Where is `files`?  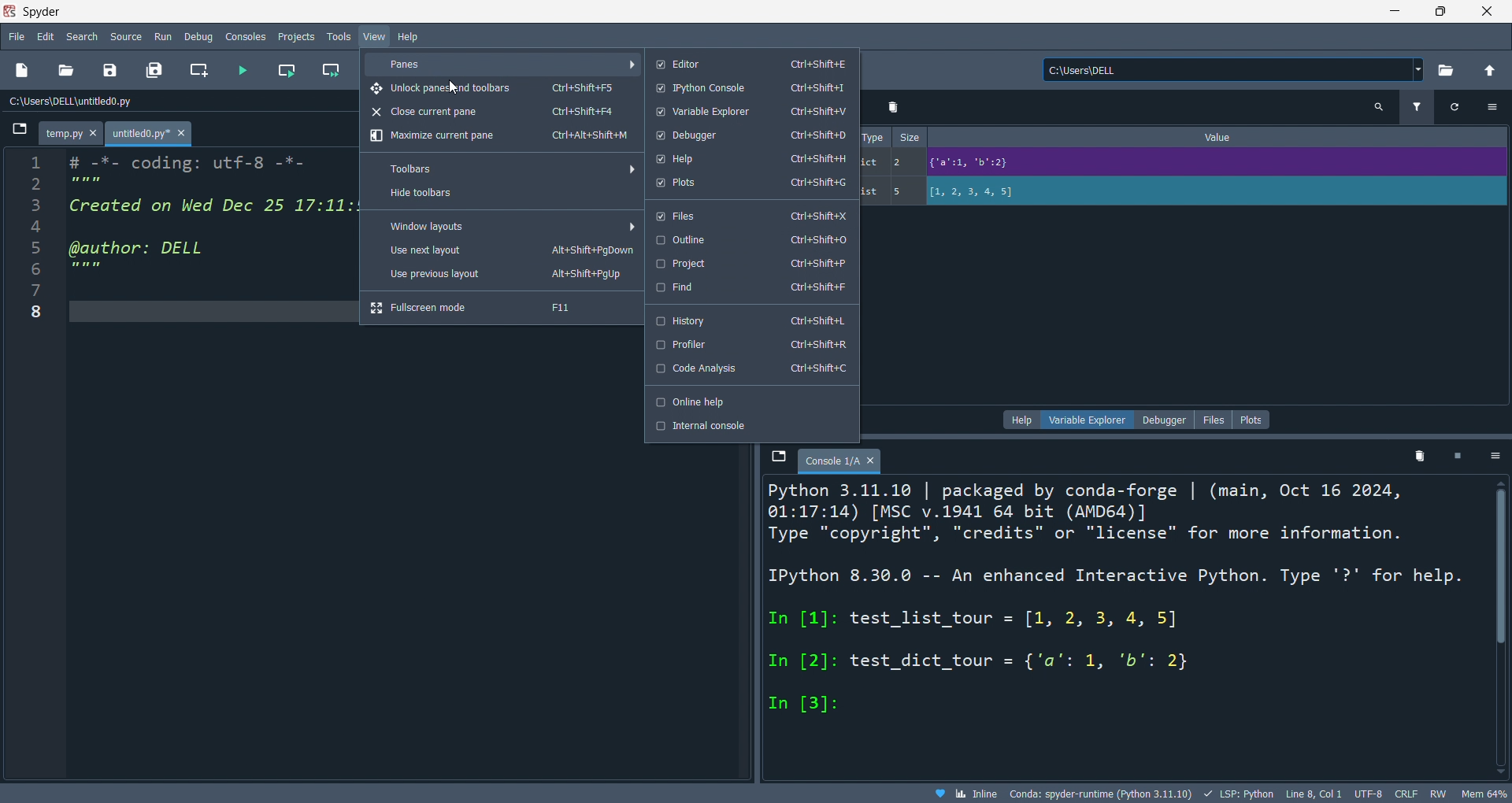
files is located at coordinates (750, 214).